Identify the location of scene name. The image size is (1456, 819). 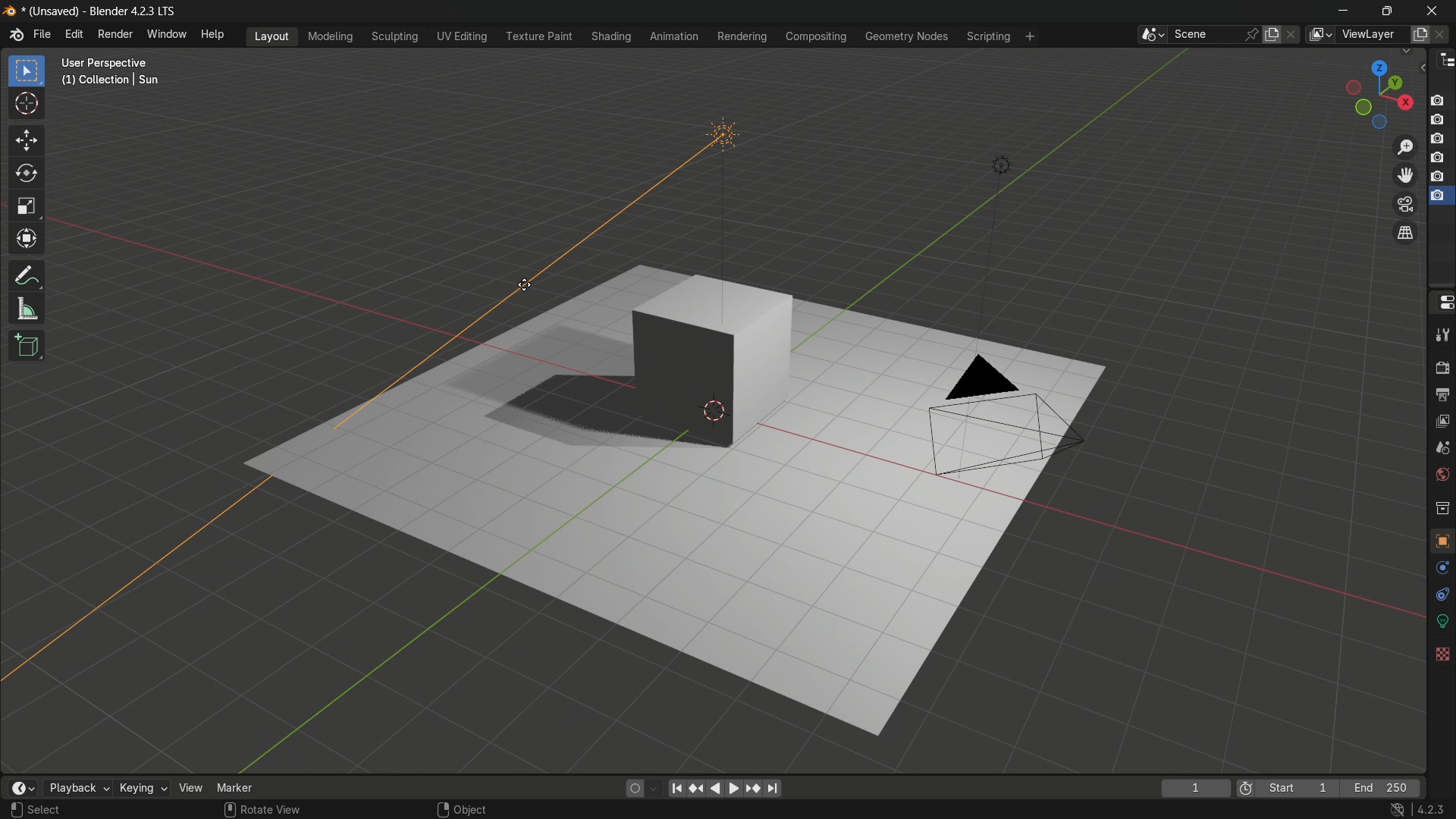
(1205, 35).